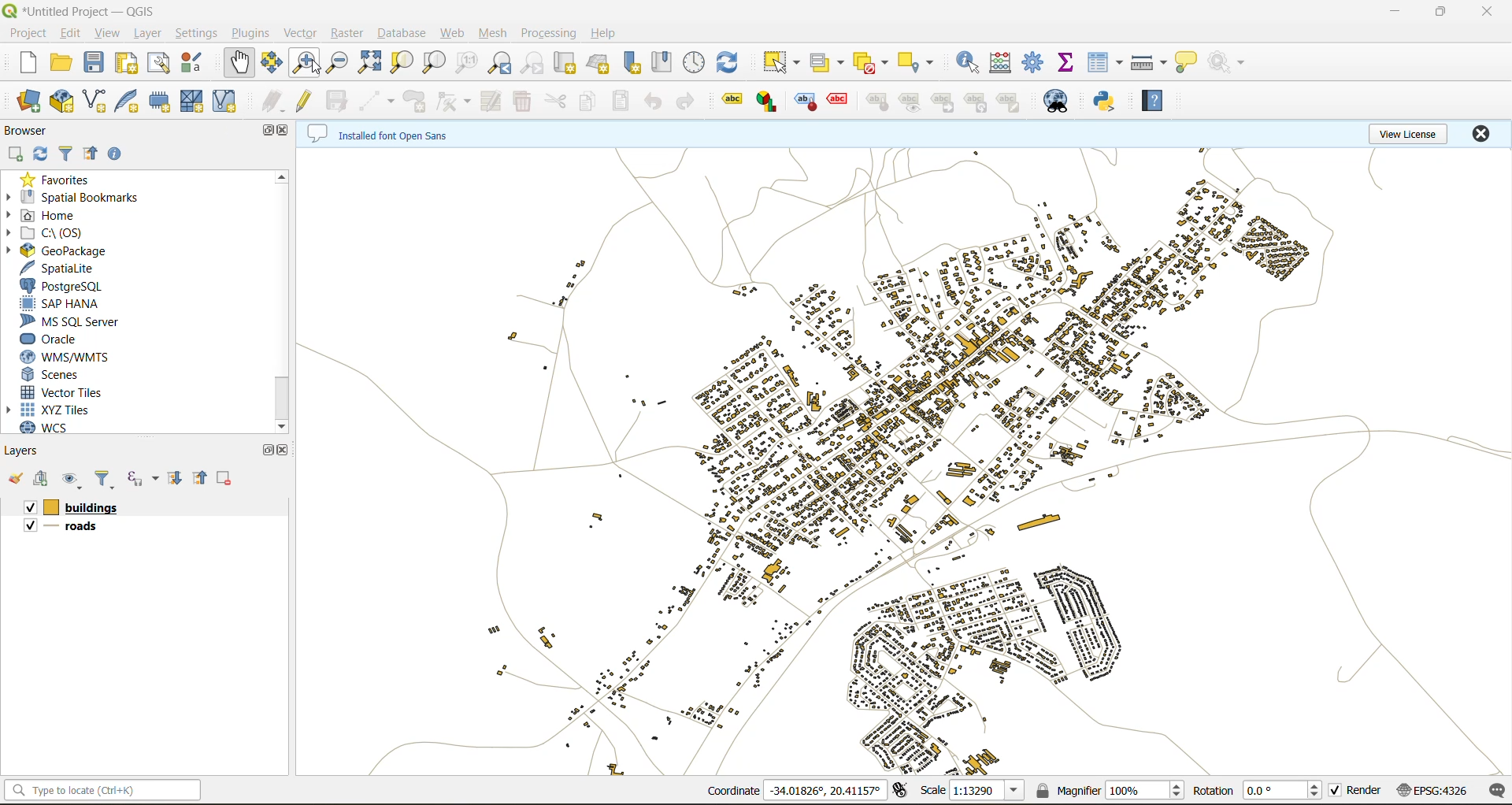 The image size is (1512, 805). Describe the element at coordinates (554, 102) in the screenshot. I see `cut` at that location.